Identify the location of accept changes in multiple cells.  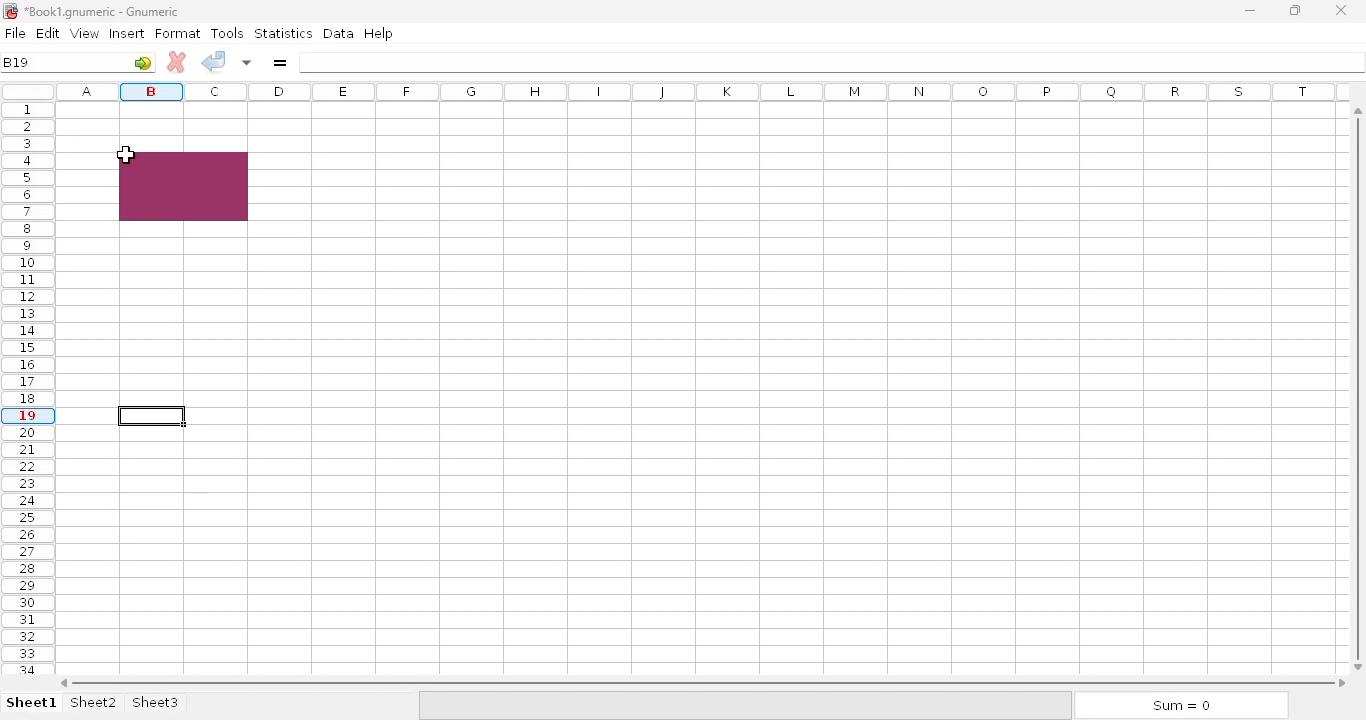
(247, 62).